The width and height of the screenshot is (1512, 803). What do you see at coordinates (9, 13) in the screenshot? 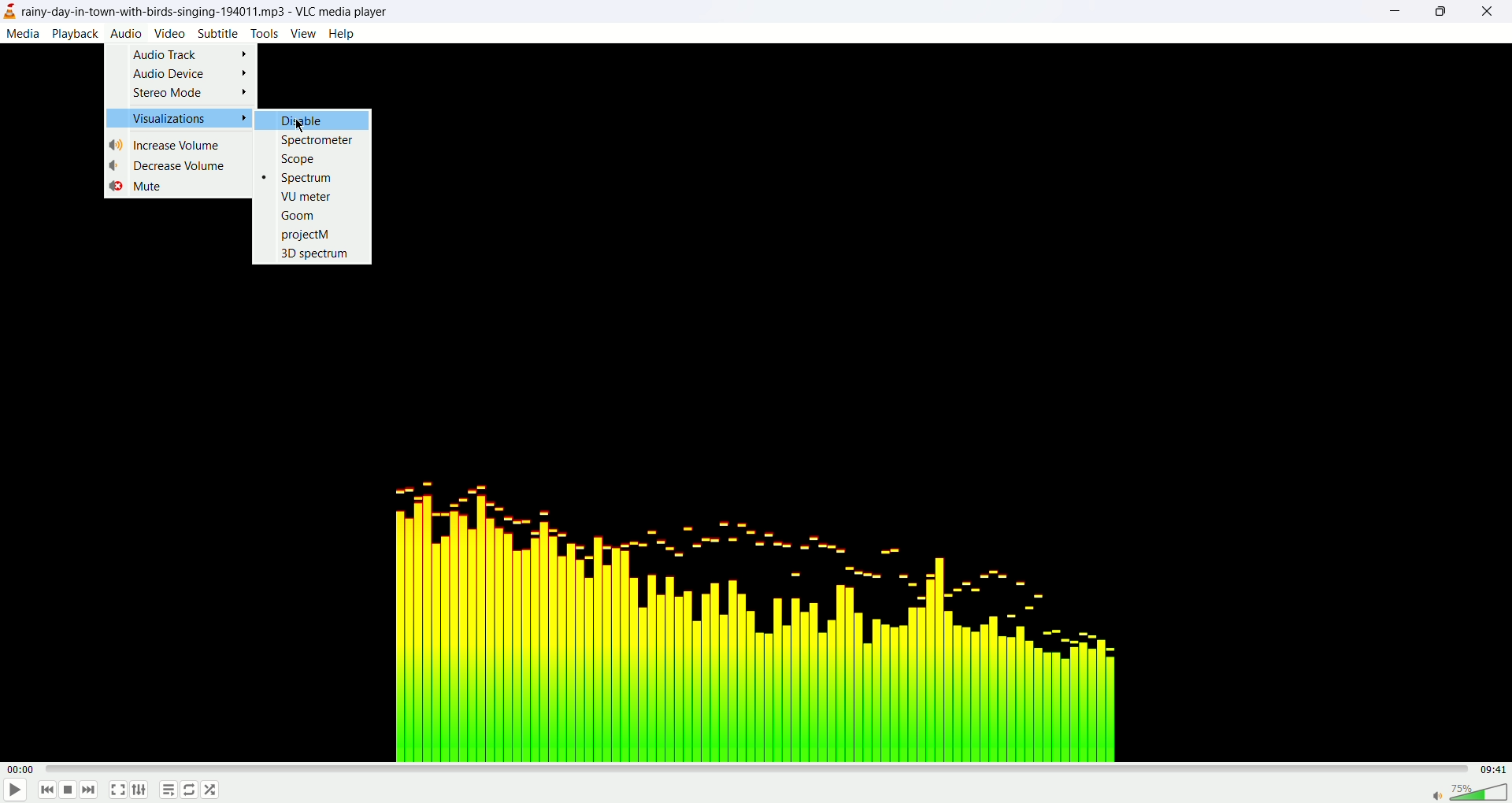
I see `logo` at bounding box center [9, 13].